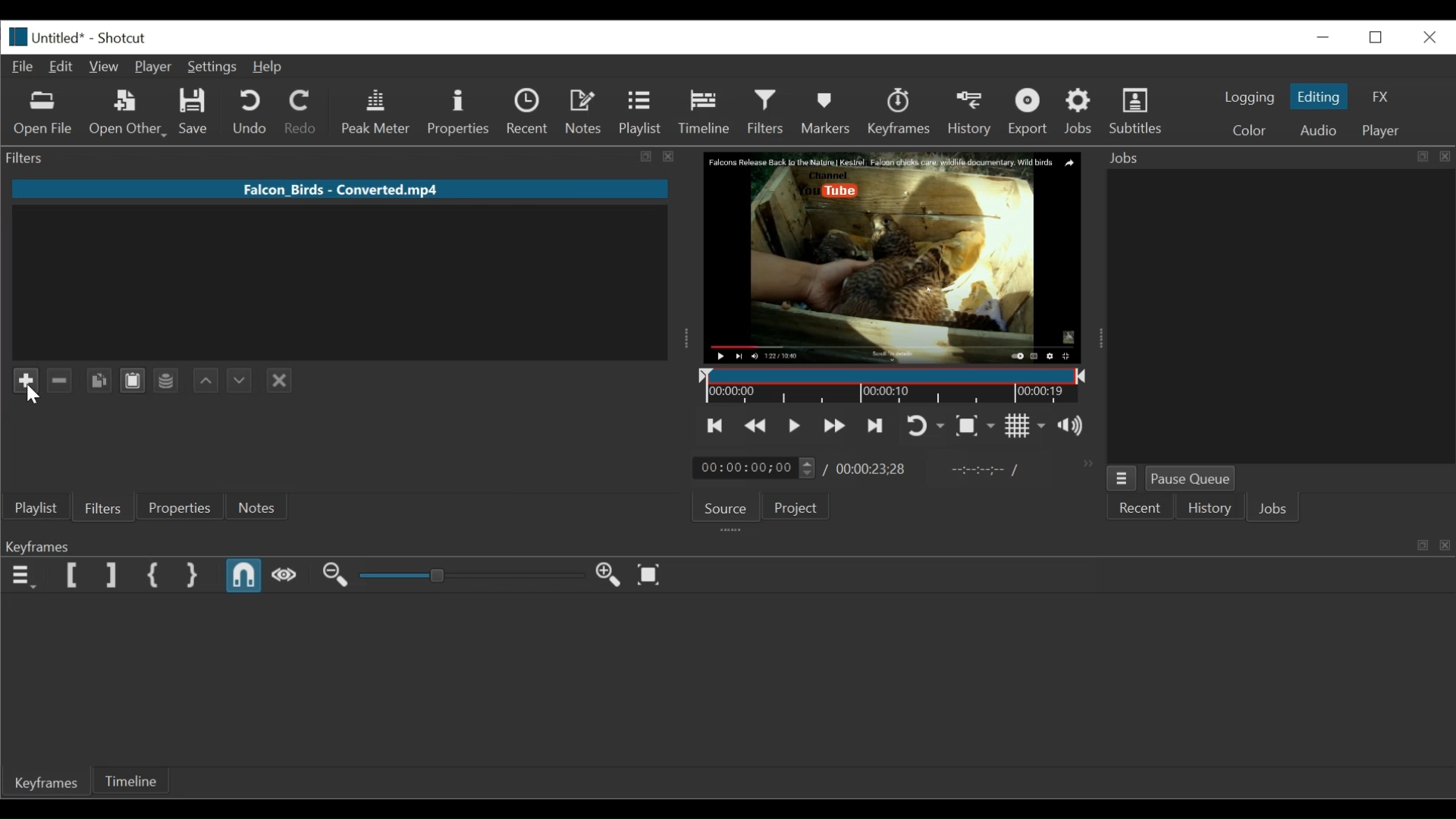  Describe the element at coordinates (1079, 113) in the screenshot. I see `Jobs` at that location.